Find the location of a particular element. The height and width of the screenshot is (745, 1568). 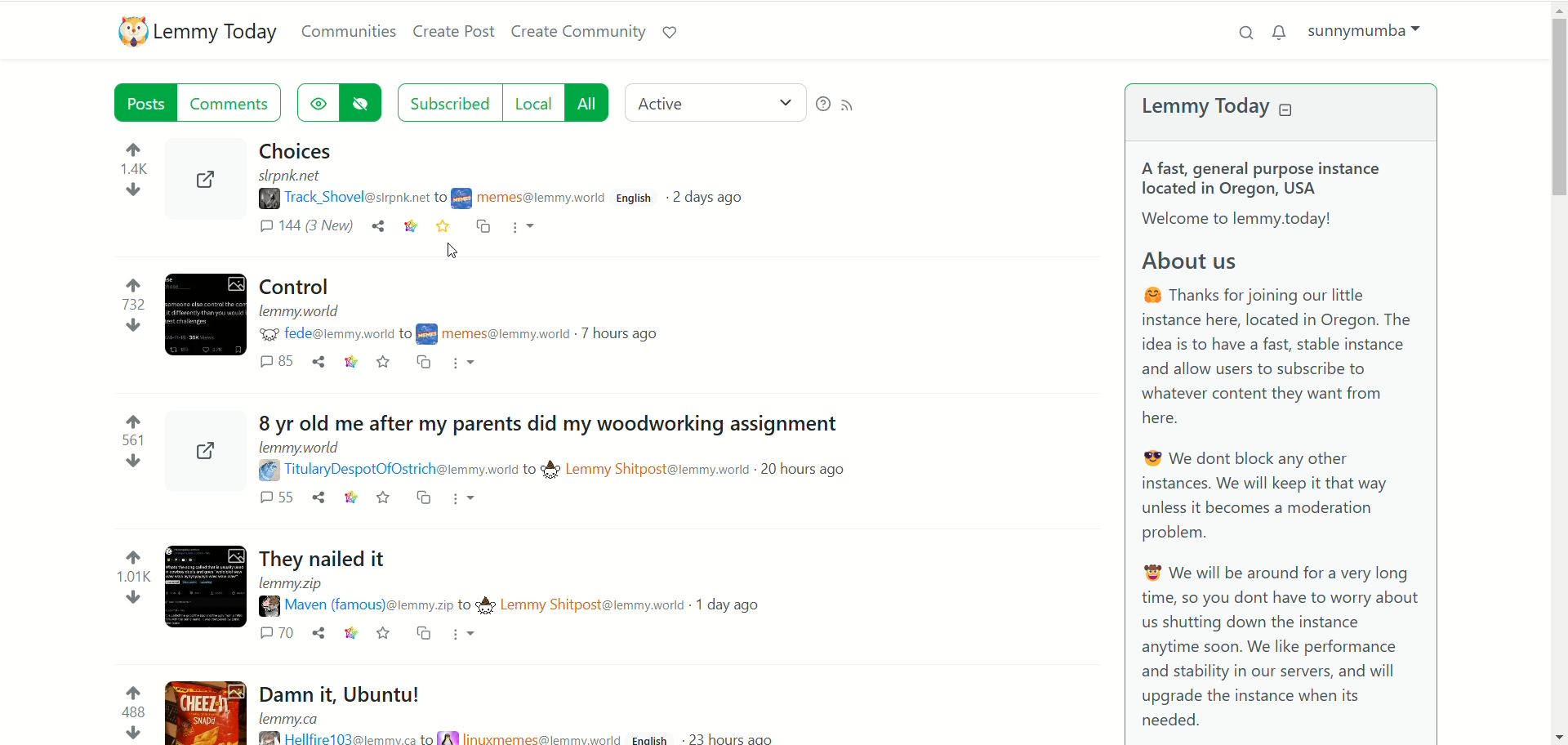

cross post is located at coordinates (483, 228).